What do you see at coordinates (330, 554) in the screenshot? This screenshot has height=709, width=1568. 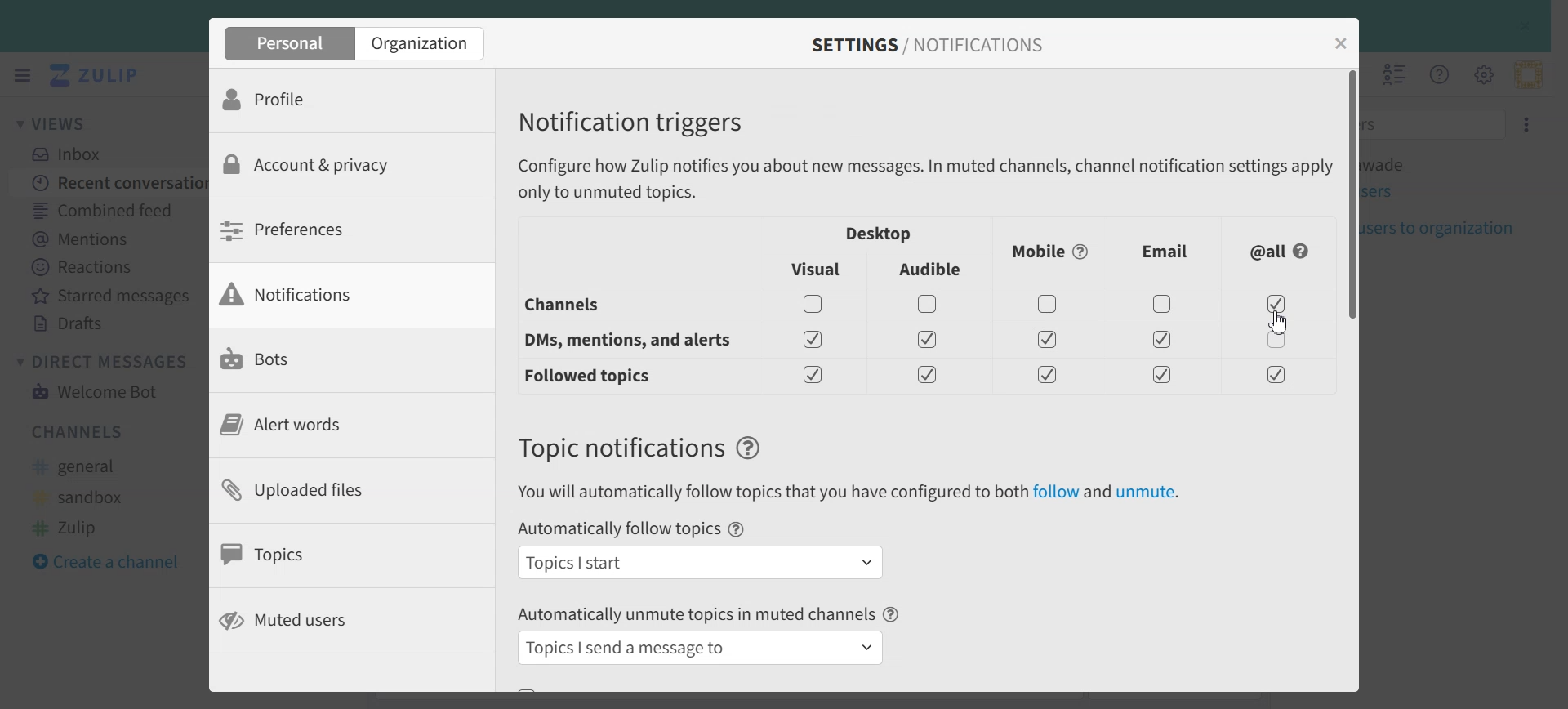 I see `Topics` at bounding box center [330, 554].